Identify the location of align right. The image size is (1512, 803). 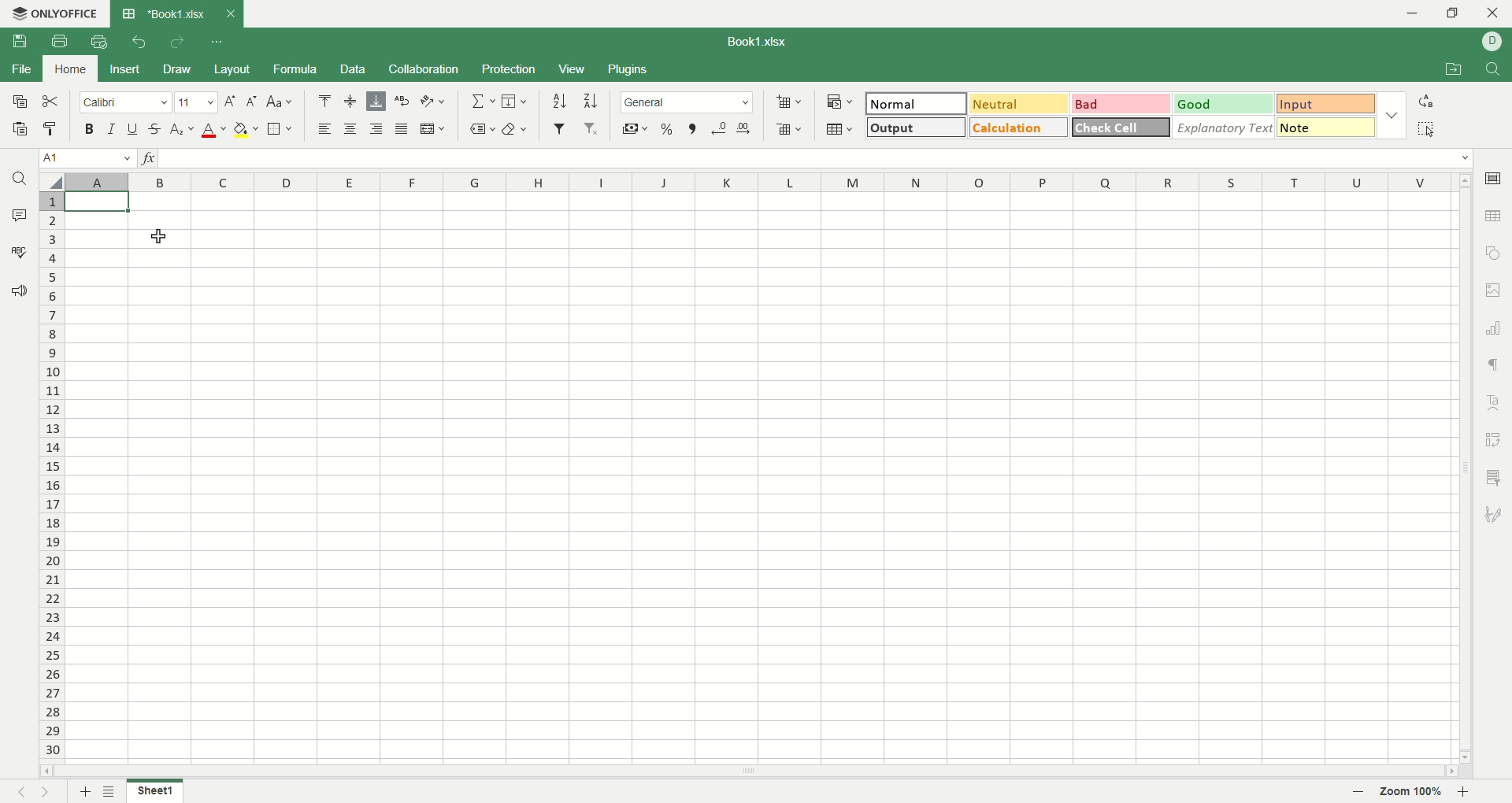
(374, 128).